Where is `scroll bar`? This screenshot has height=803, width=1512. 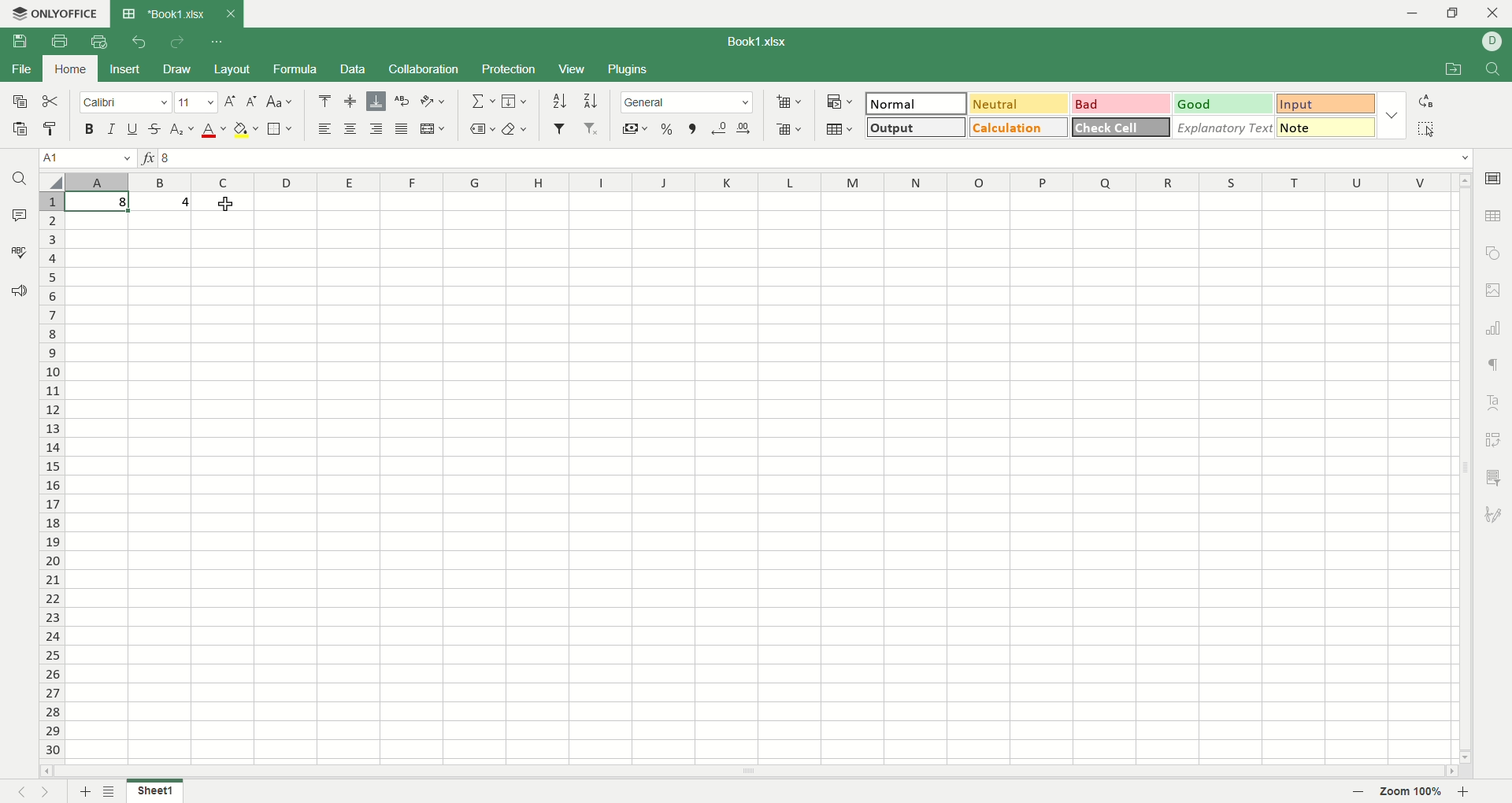 scroll bar is located at coordinates (746, 773).